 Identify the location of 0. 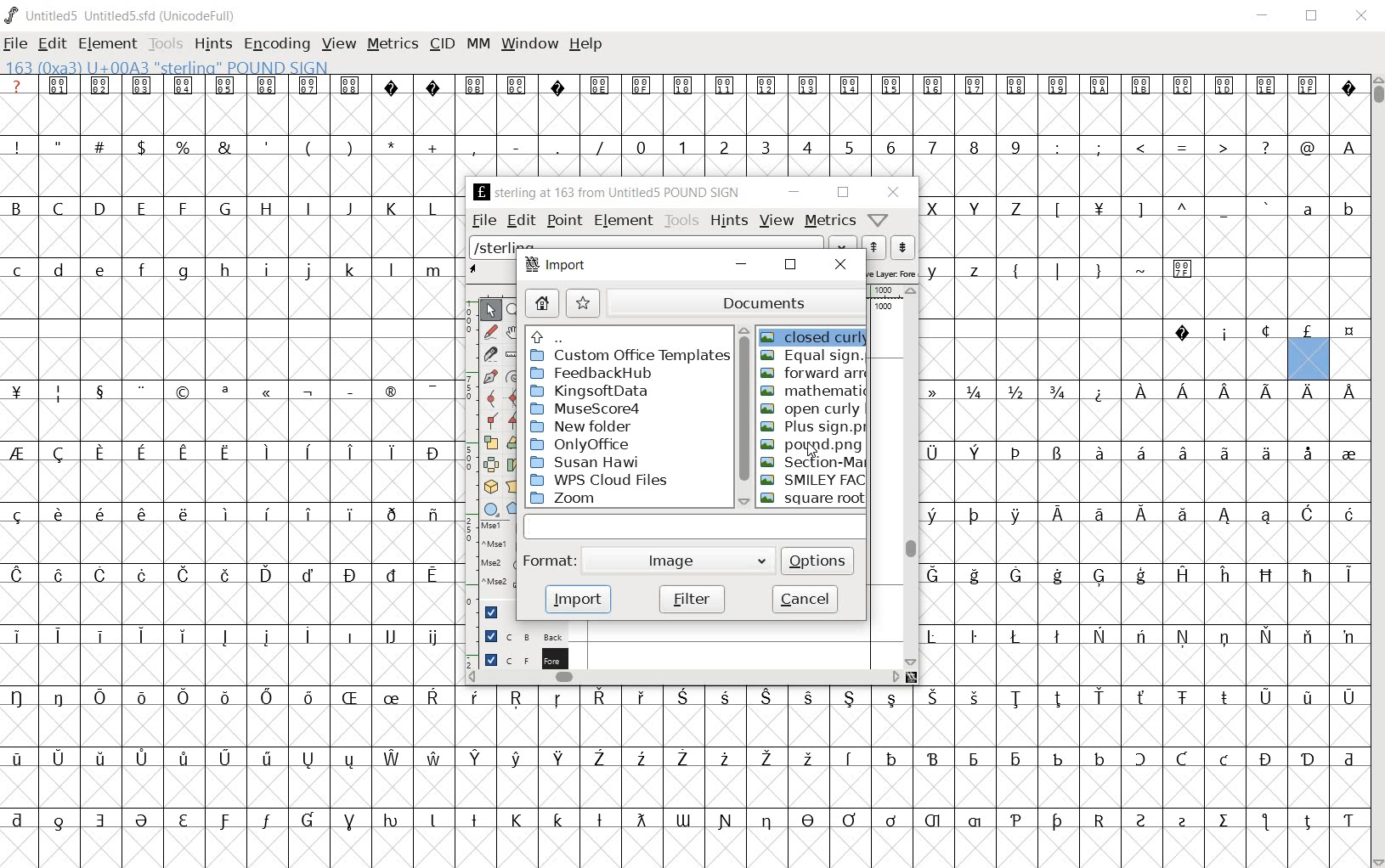
(639, 146).